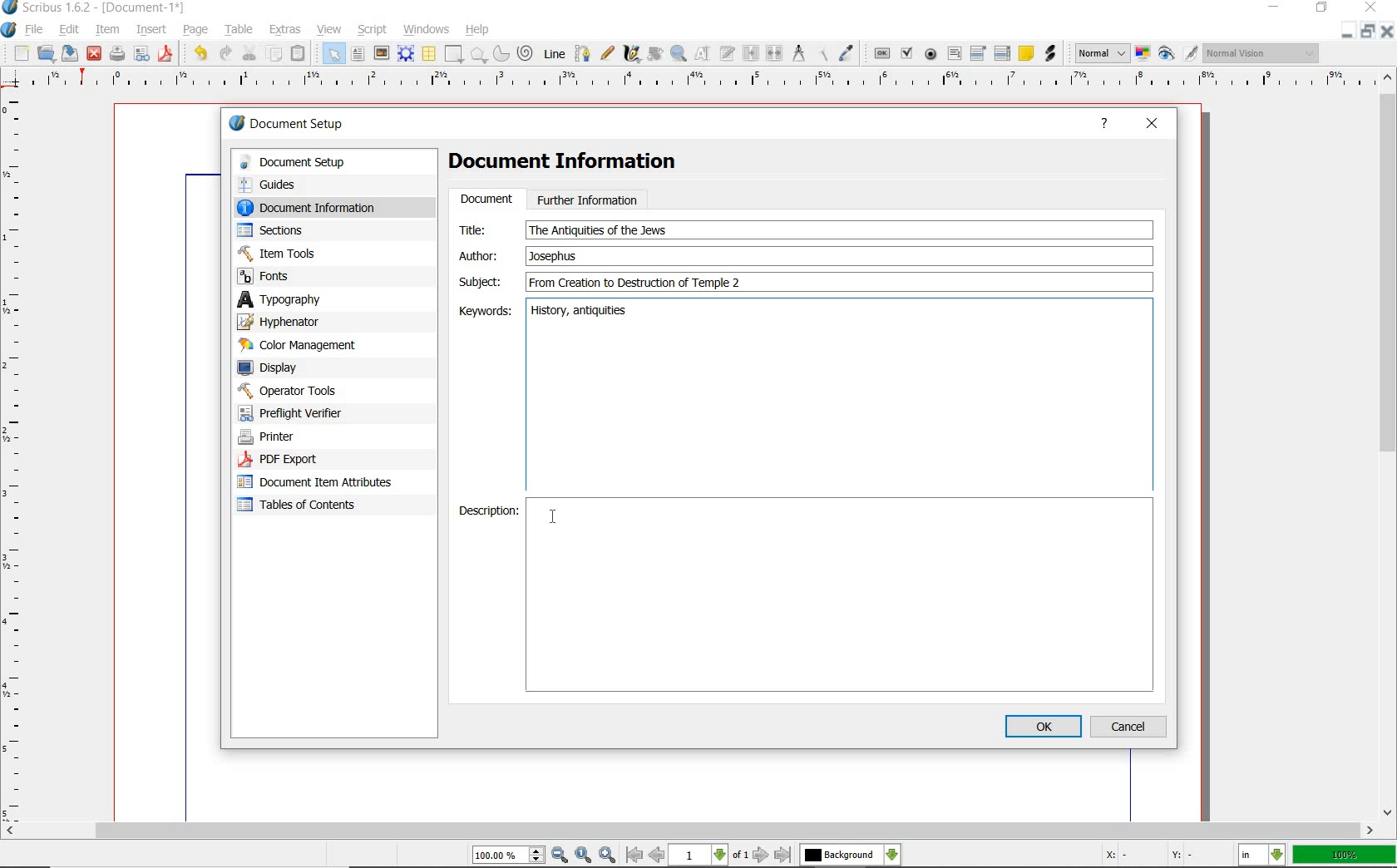 The image size is (1397, 868). What do you see at coordinates (581, 313) in the screenshot?
I see `keywords text` at bounding box center [581, 313].